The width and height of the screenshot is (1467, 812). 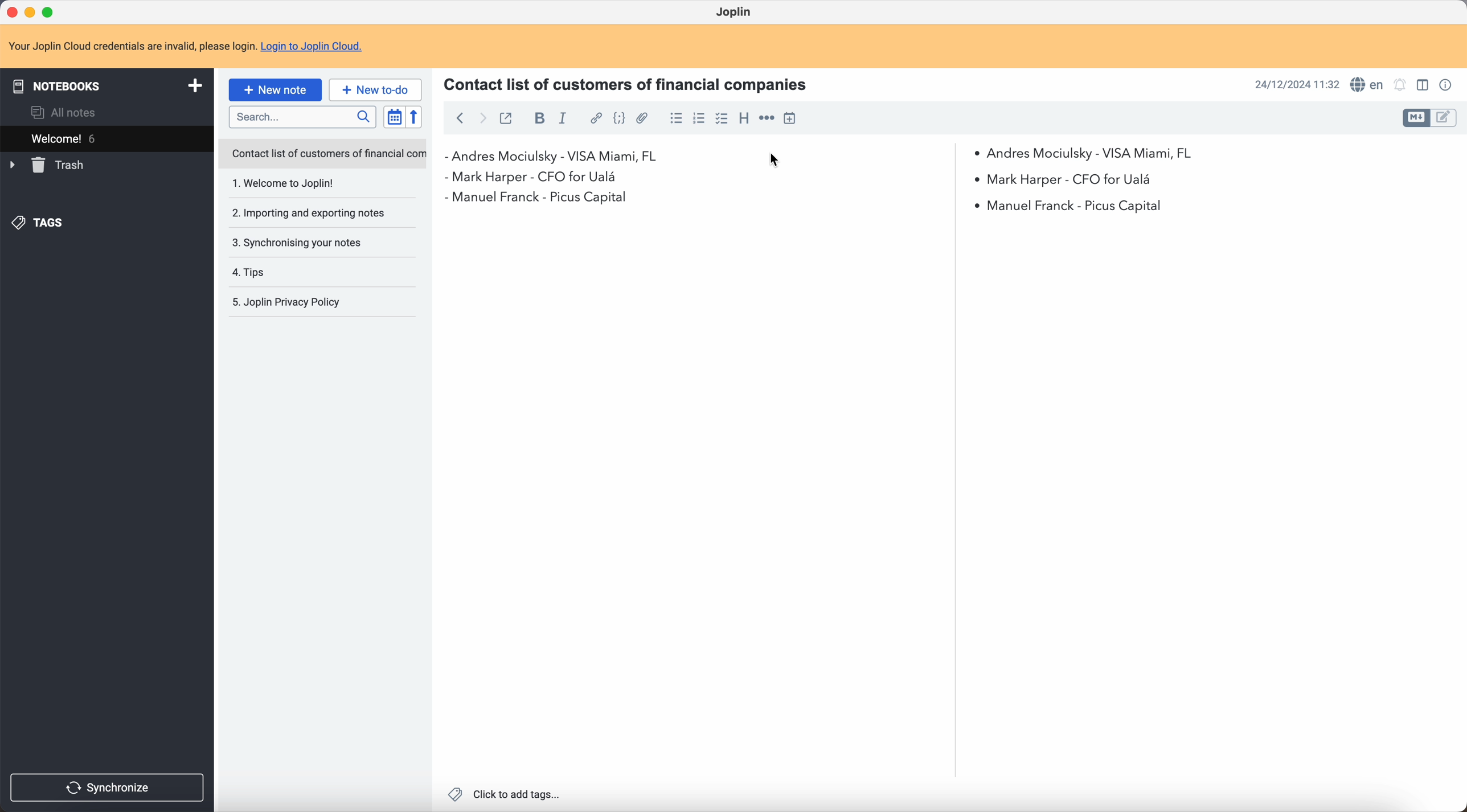 I want to click on first contact, so click(x=559, y=157).